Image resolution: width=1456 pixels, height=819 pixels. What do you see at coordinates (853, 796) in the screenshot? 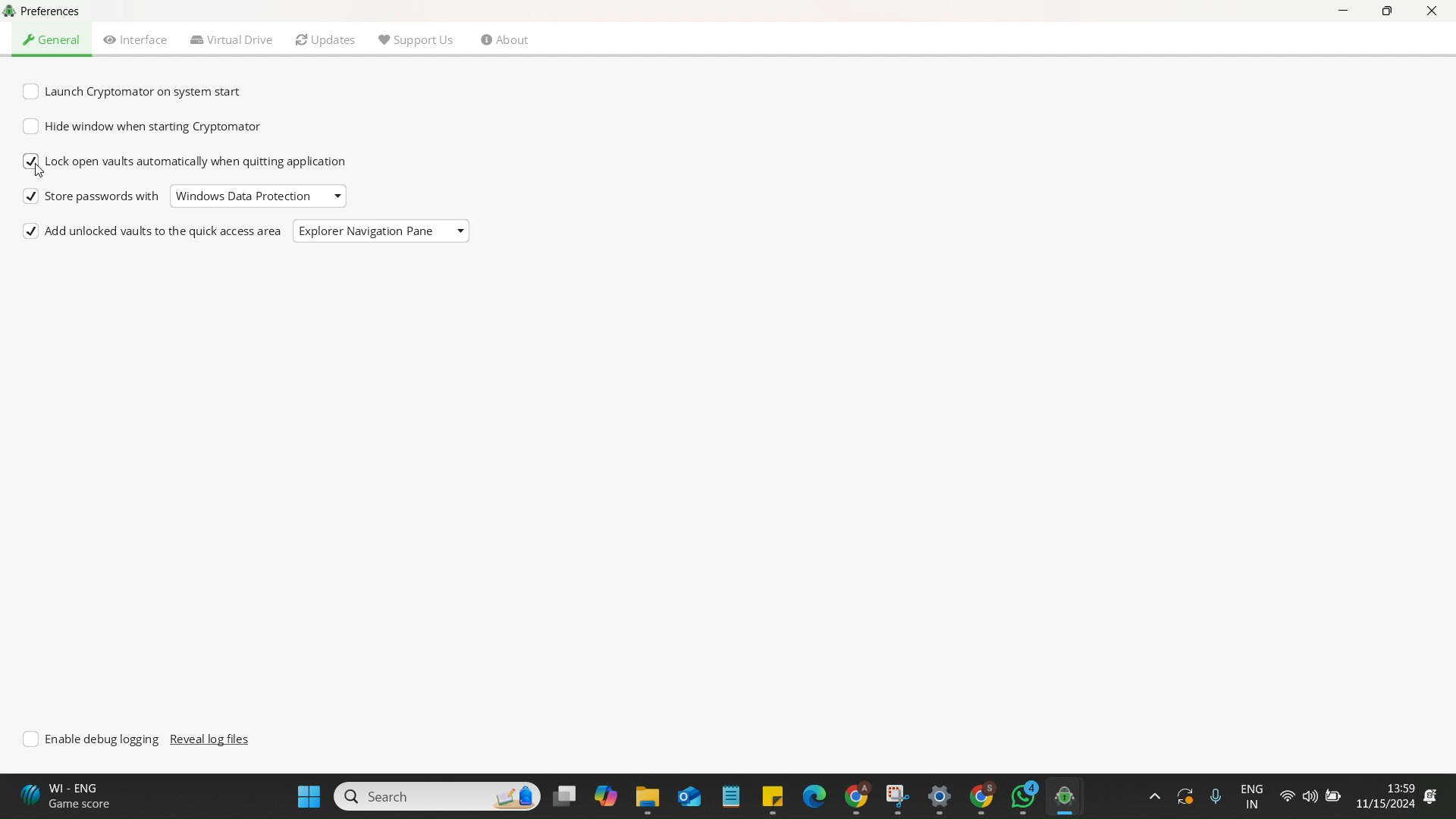
I see `Chrome` at bounding box center [853, 796].